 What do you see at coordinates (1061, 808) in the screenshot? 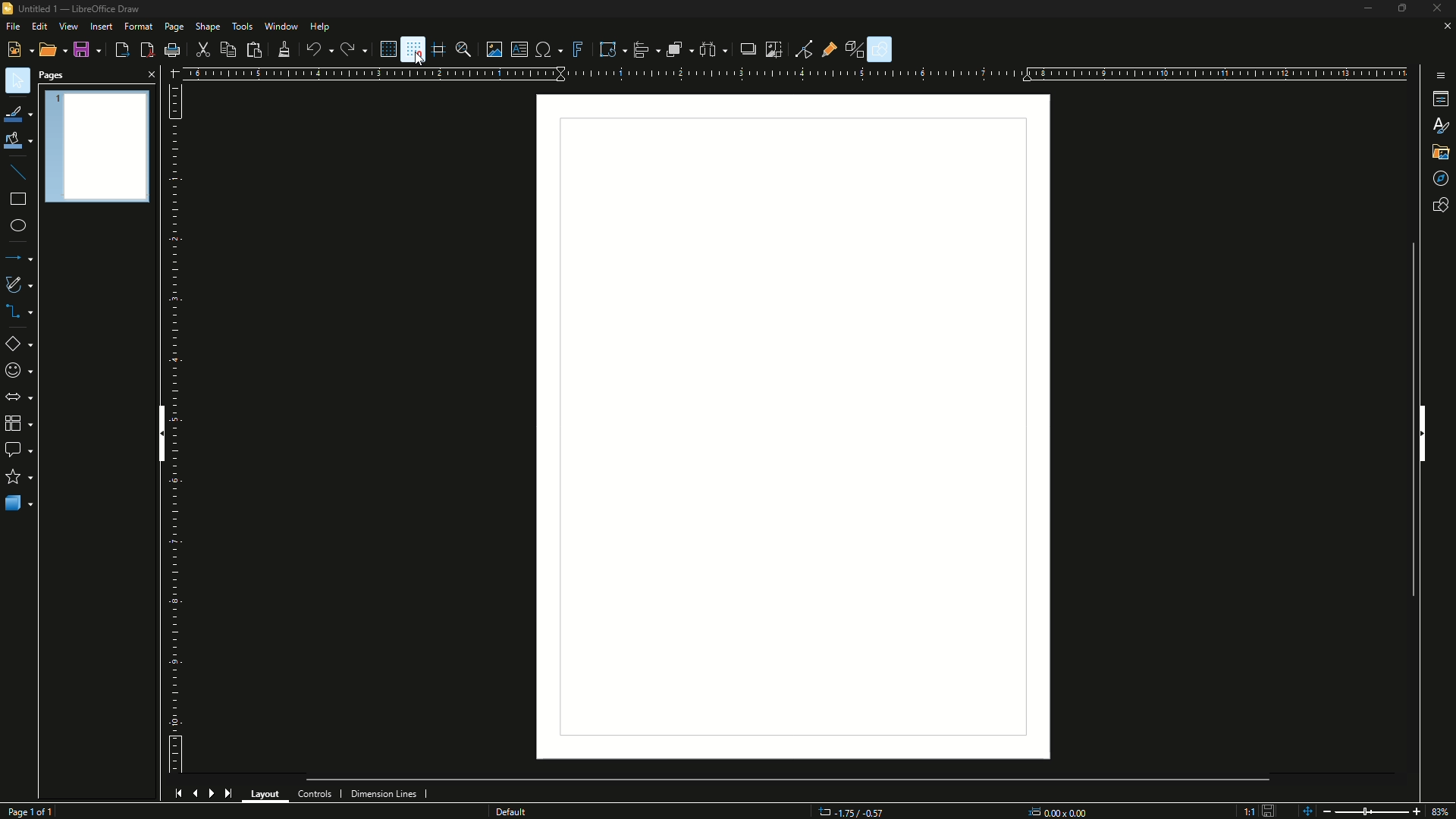
I see `Dimensions` at bounding box center [1061, 808].